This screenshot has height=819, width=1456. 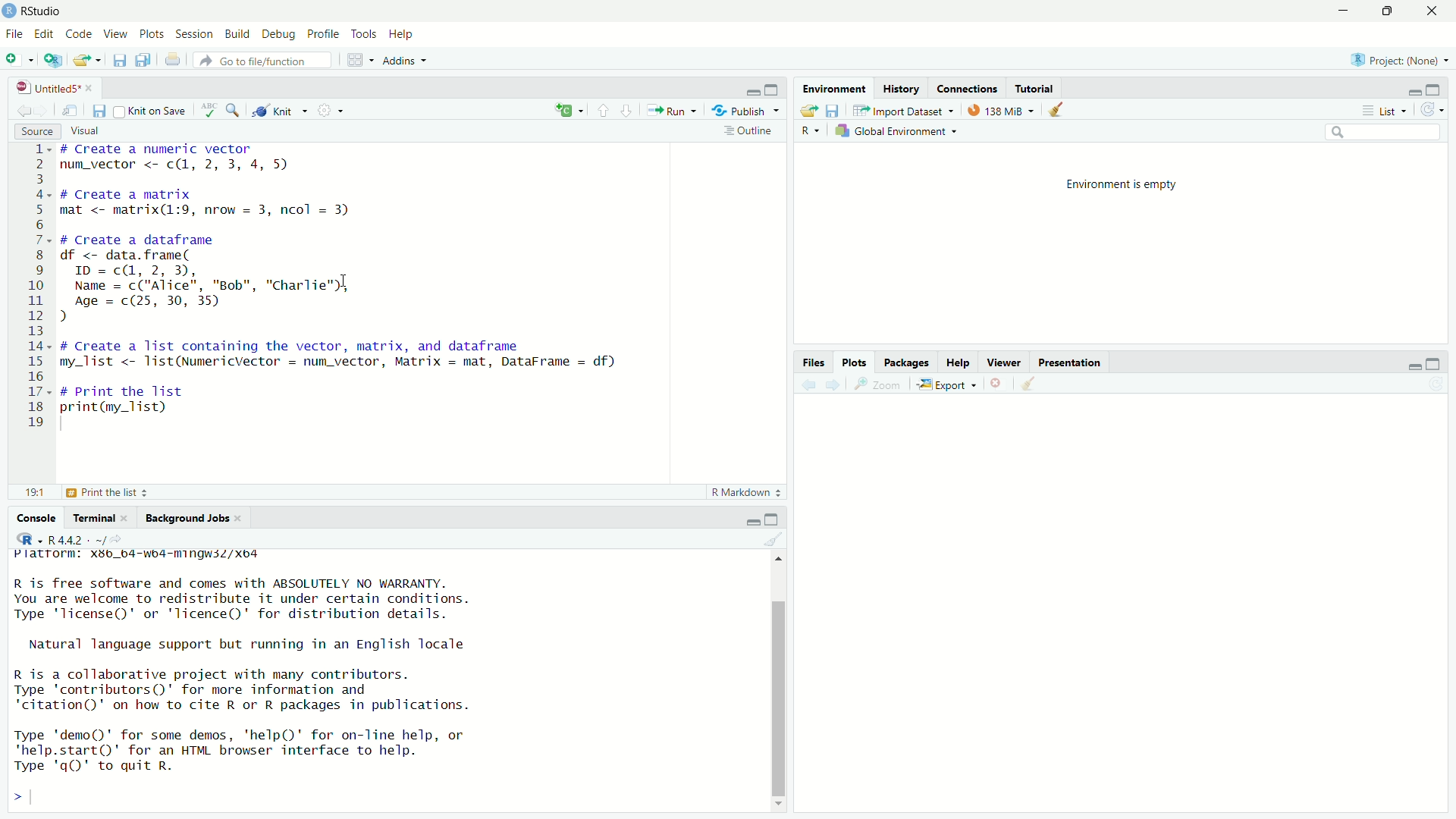 What do you see at coordinates (403, 35) in the screenshot?
I see `Help` at bounding box center [403, 35].